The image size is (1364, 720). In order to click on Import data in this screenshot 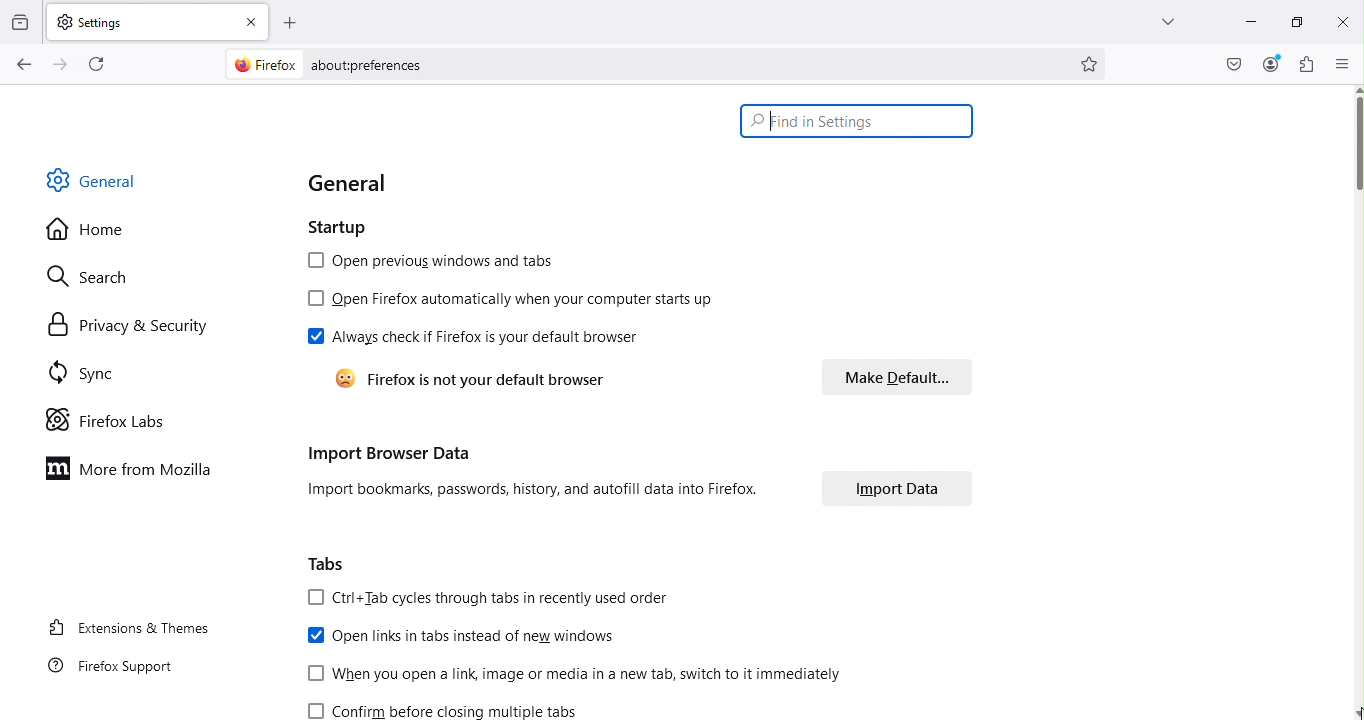, I will do `click(897, 492)`.